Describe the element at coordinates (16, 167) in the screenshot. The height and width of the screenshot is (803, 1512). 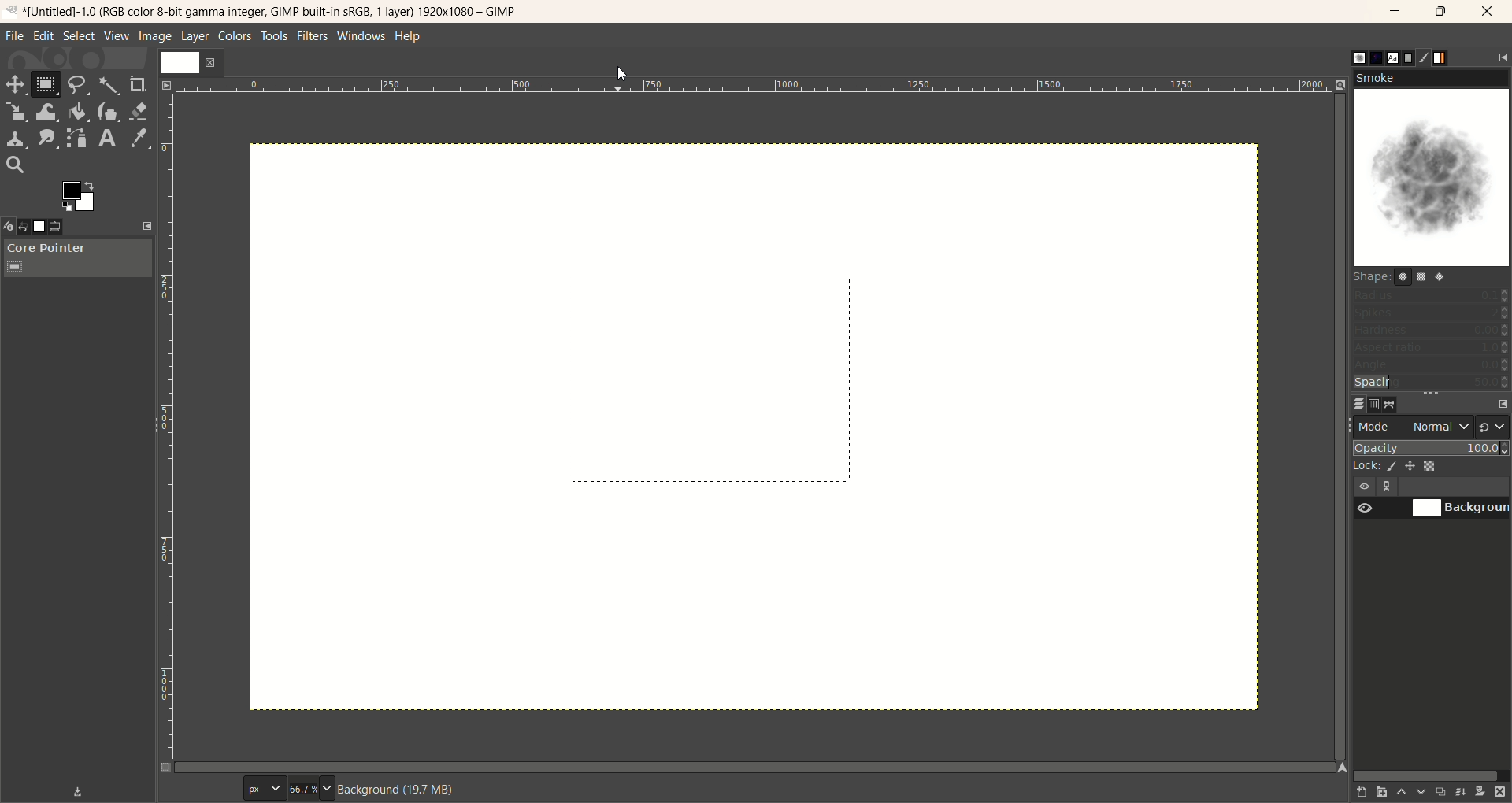
I see `search` at that location.